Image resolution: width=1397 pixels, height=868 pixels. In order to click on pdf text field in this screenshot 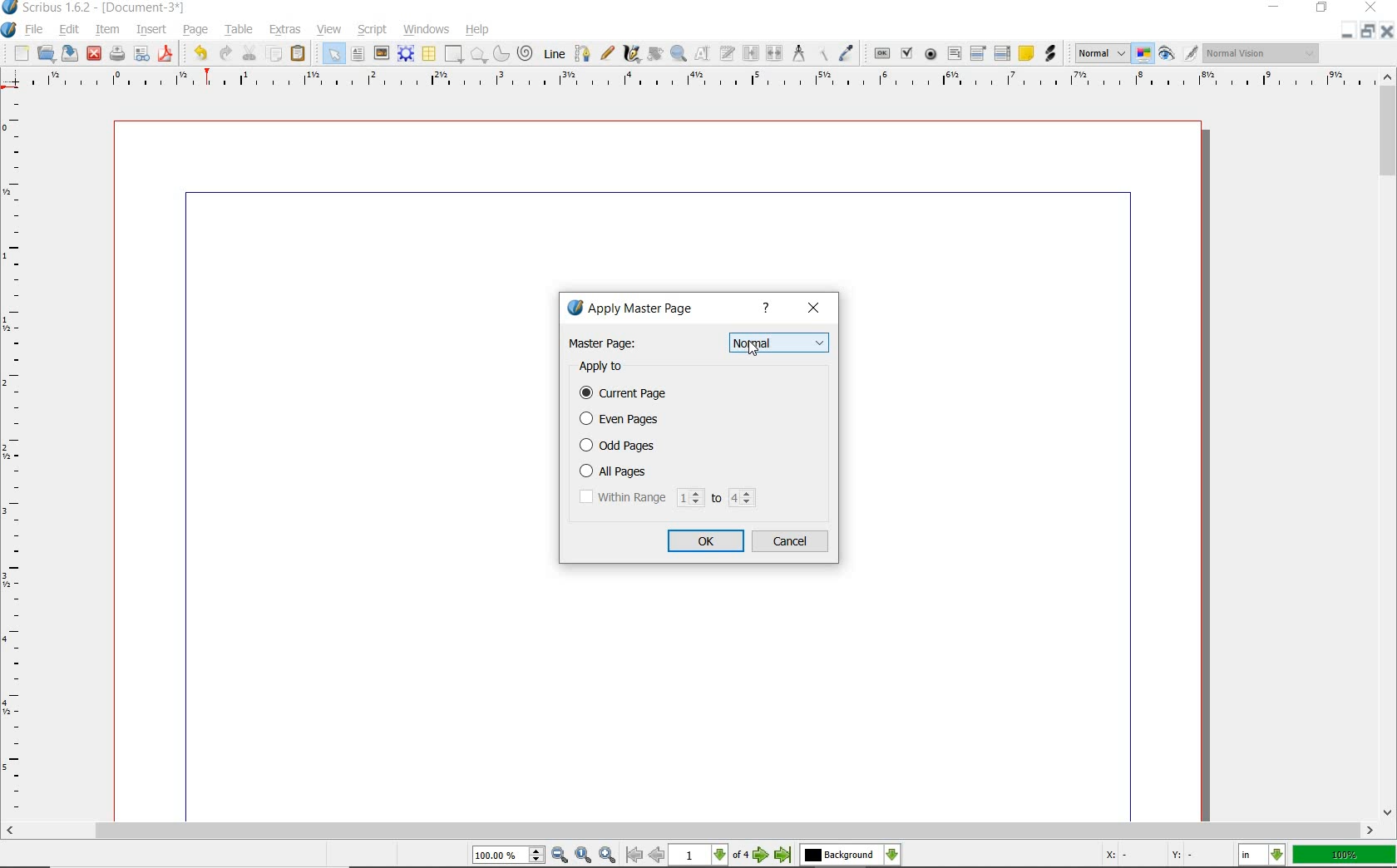, I will do `click(955, 52)`.